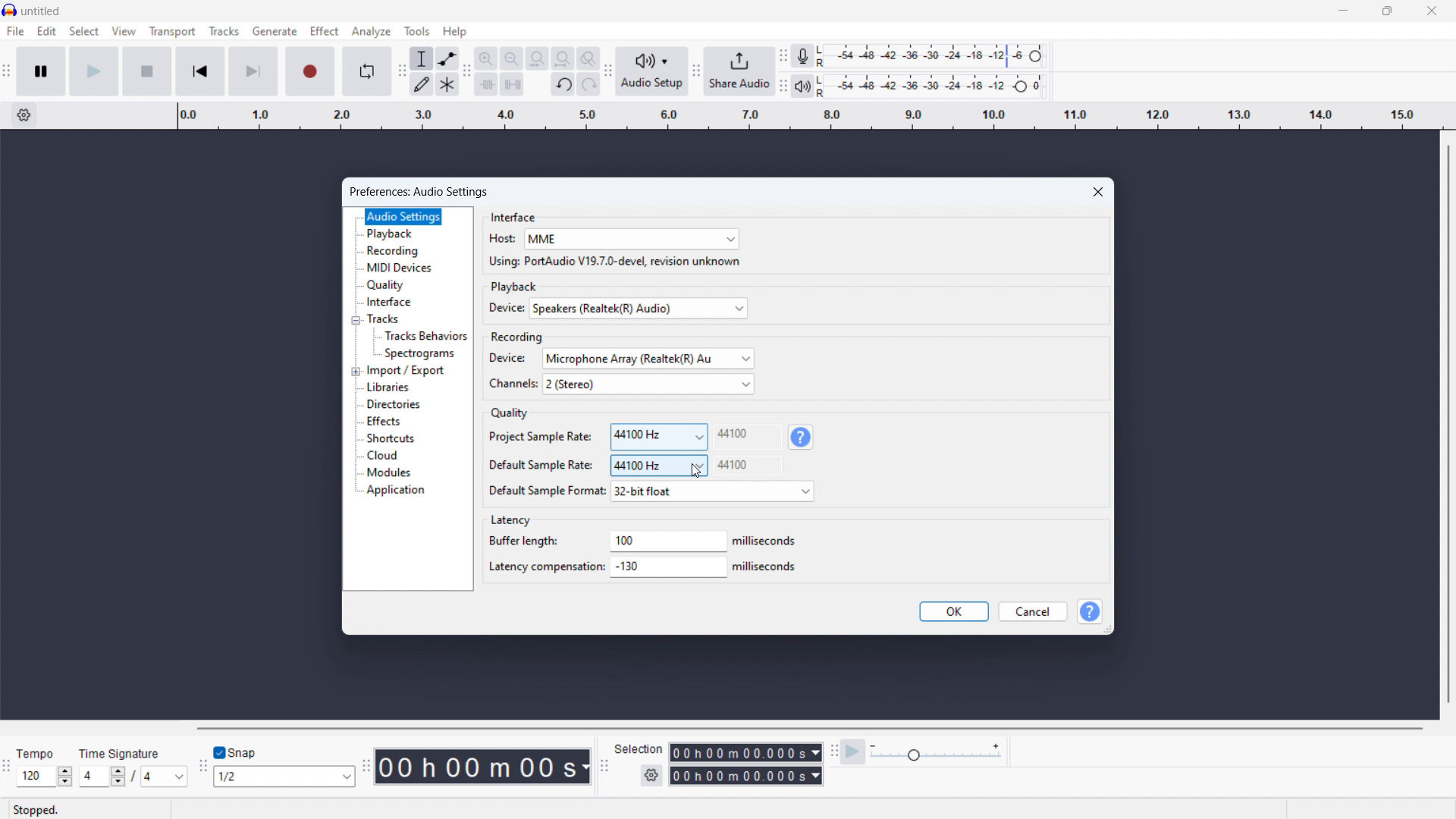  Describe the element at coordinates (224, 31) in the screenshot. I see `tracks` at that location.